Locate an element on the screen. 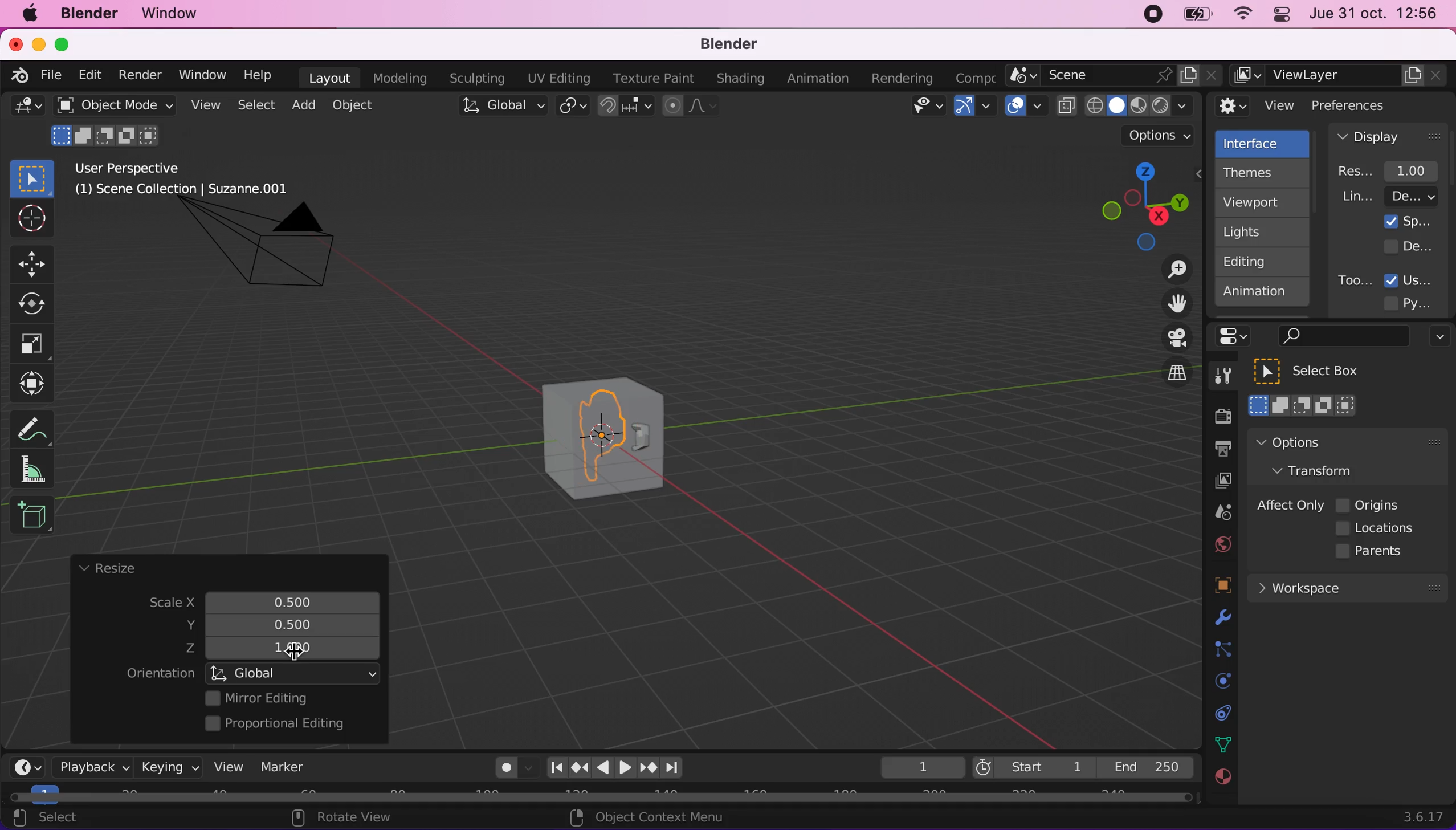  scale x is located at coordinates (289, 599).